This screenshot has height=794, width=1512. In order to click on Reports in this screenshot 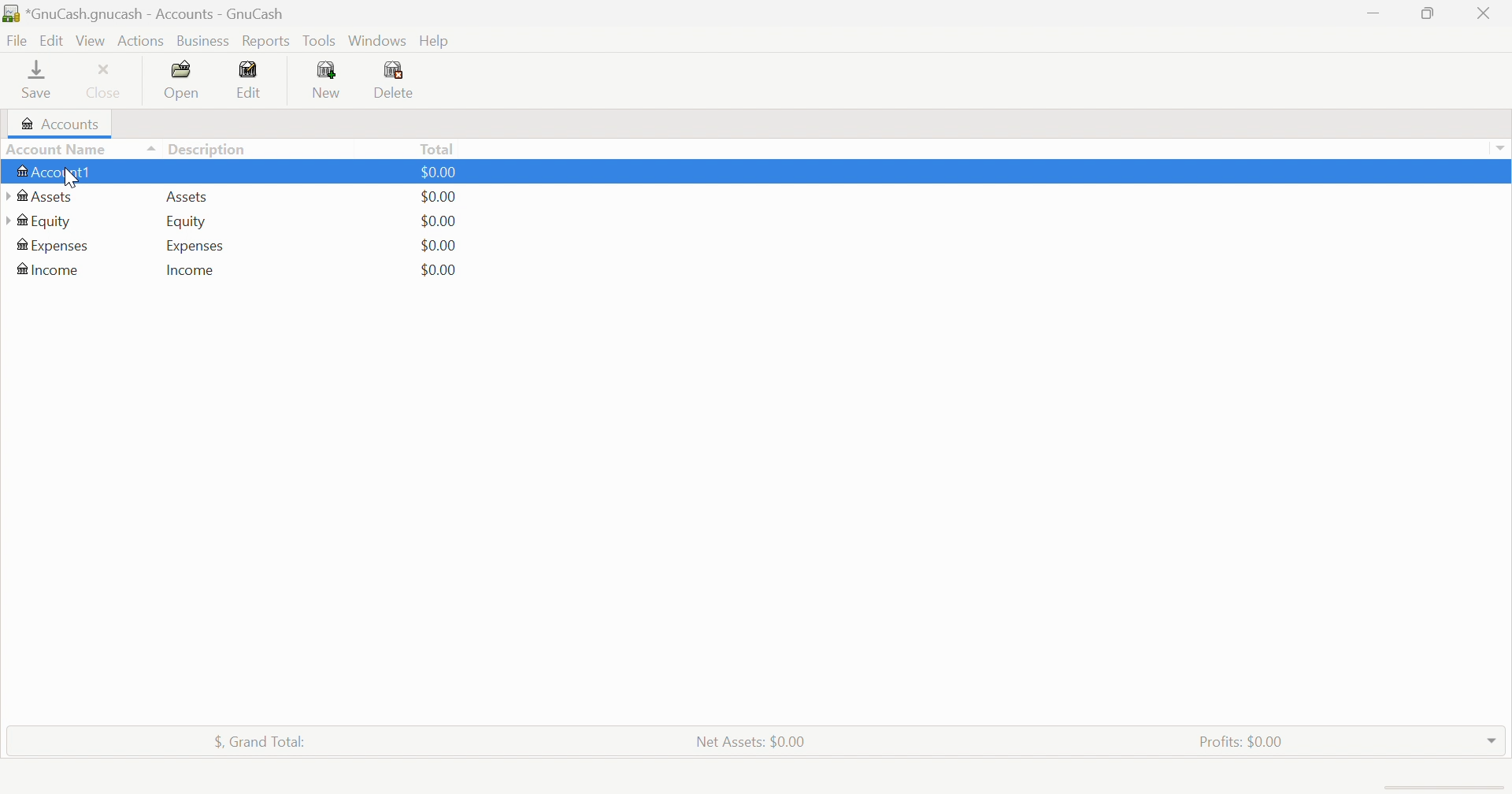, I will do `click(266, 42)`.